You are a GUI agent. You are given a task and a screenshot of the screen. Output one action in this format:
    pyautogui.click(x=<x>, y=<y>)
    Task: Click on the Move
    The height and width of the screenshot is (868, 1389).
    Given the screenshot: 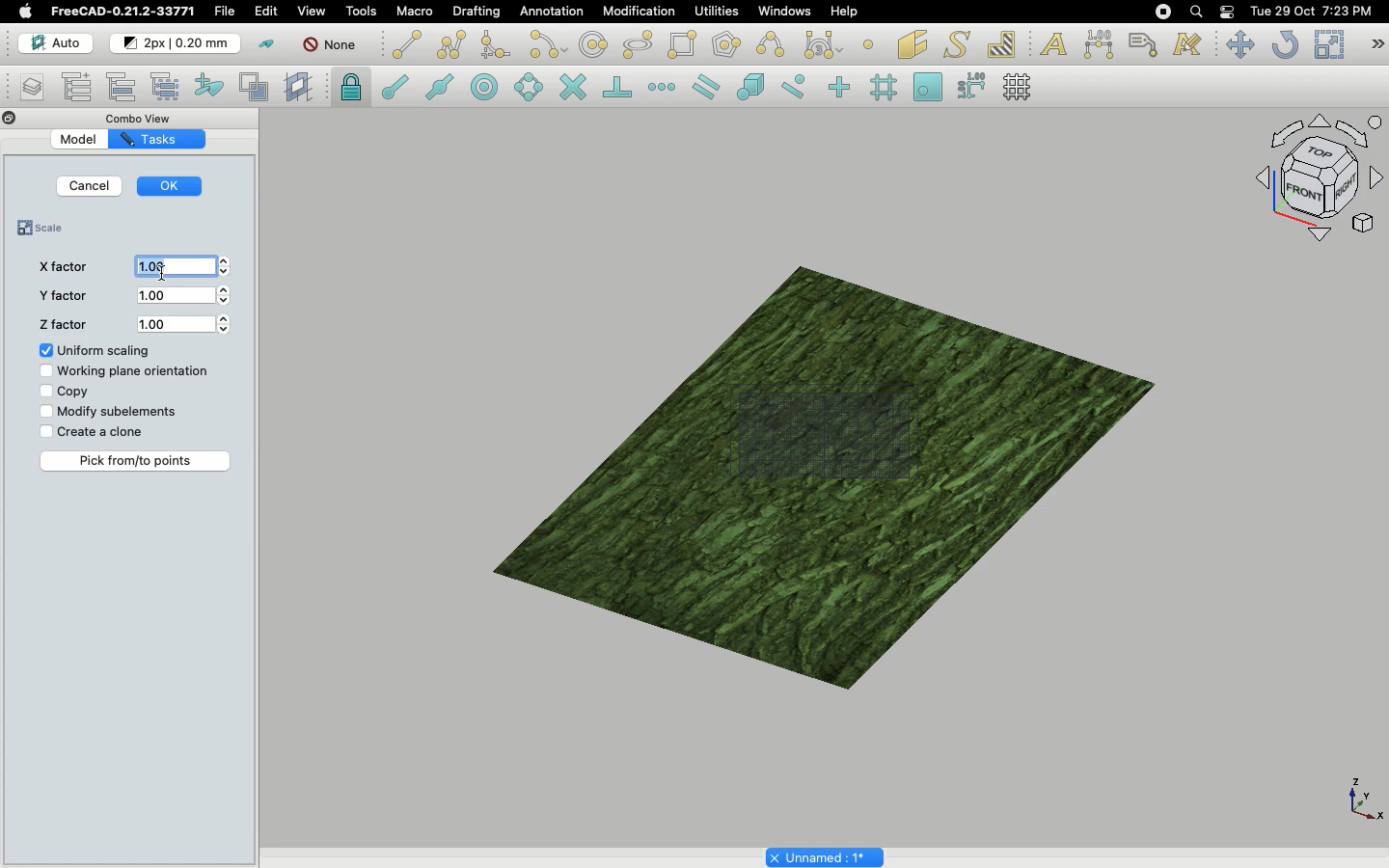 What is the action you would take?
    pyautogui.click(x=1239, y=45)
    